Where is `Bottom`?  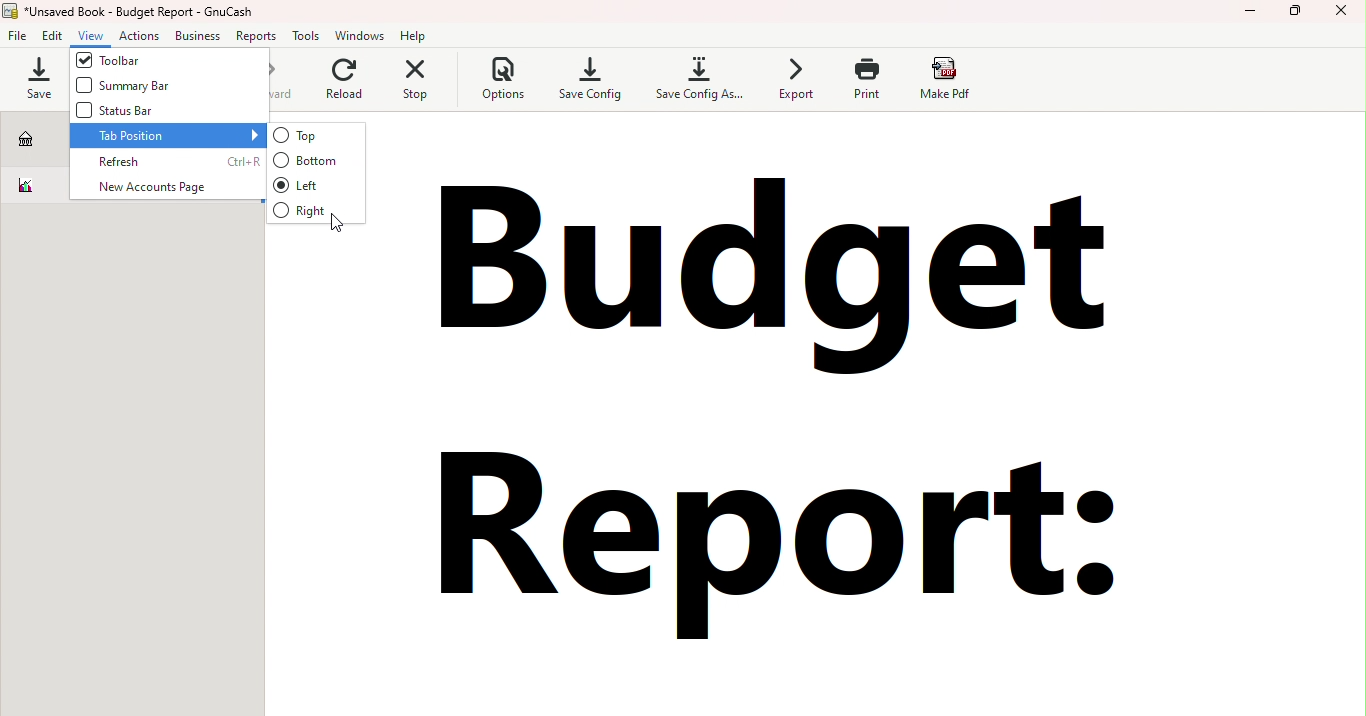 Bottom is located at coordinates (308, 160).